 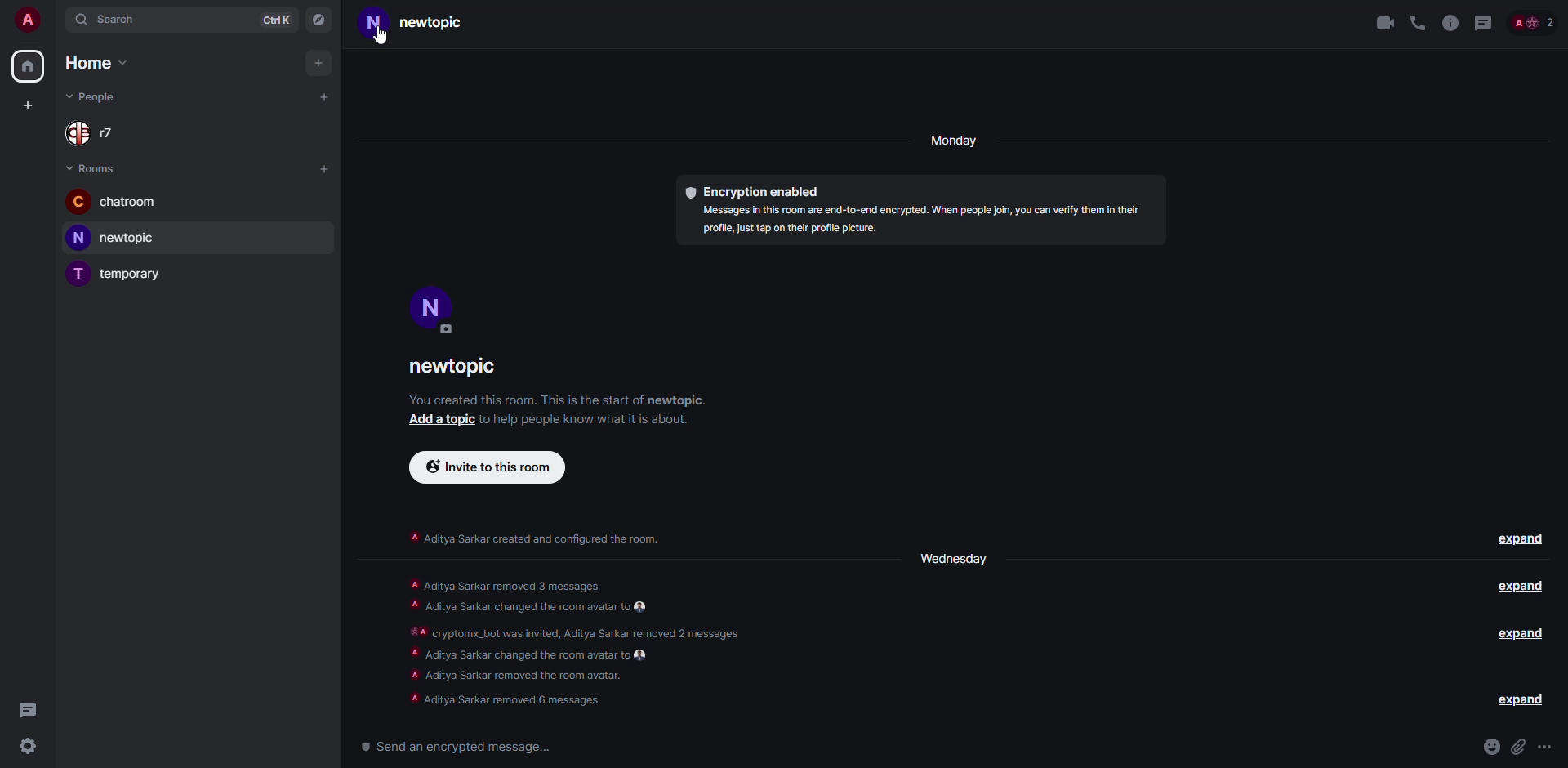 I want to click on ctrlK, so click(x=276, y=22).